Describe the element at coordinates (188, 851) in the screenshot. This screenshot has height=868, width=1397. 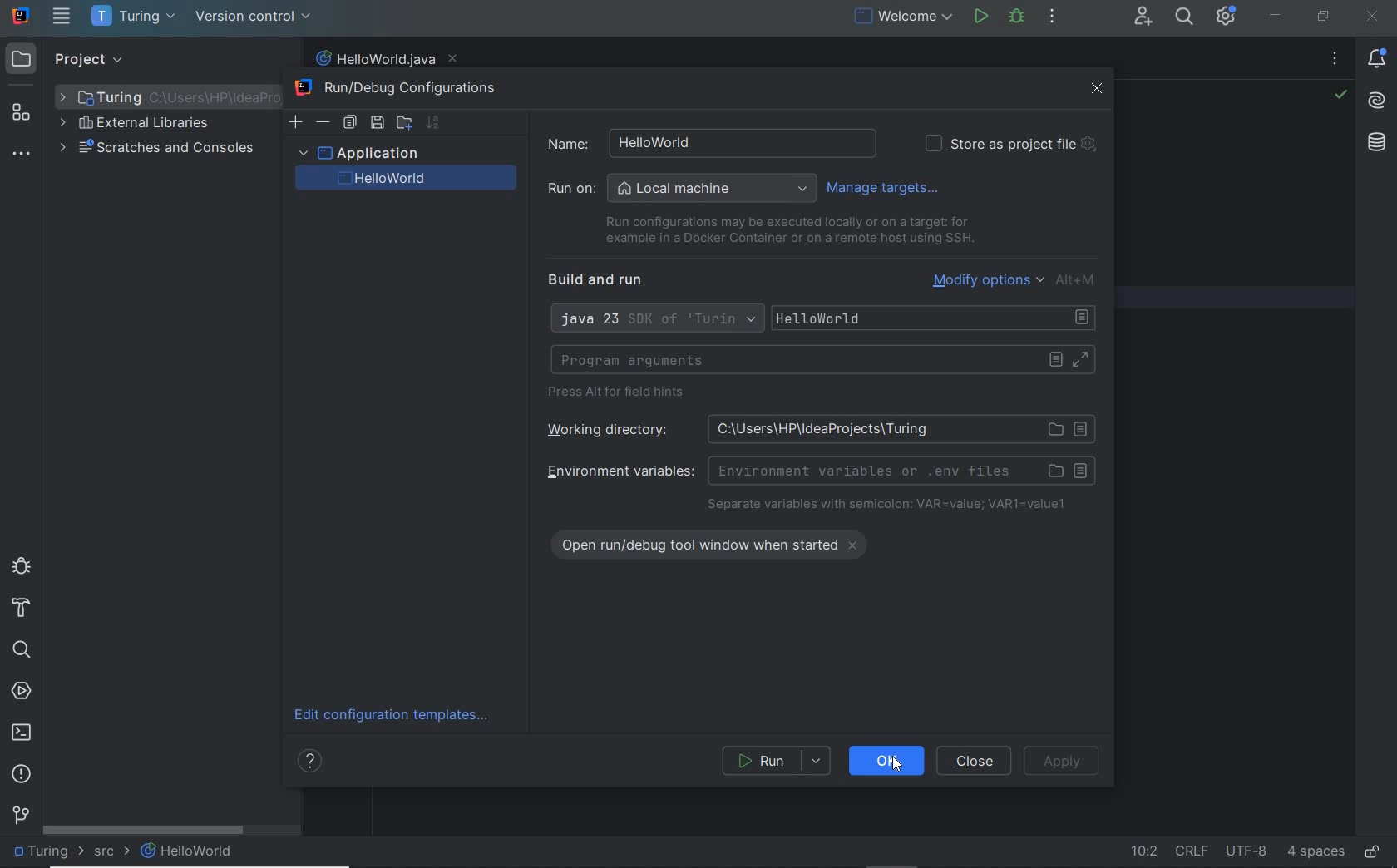
I see `HelloWorld` at that location.